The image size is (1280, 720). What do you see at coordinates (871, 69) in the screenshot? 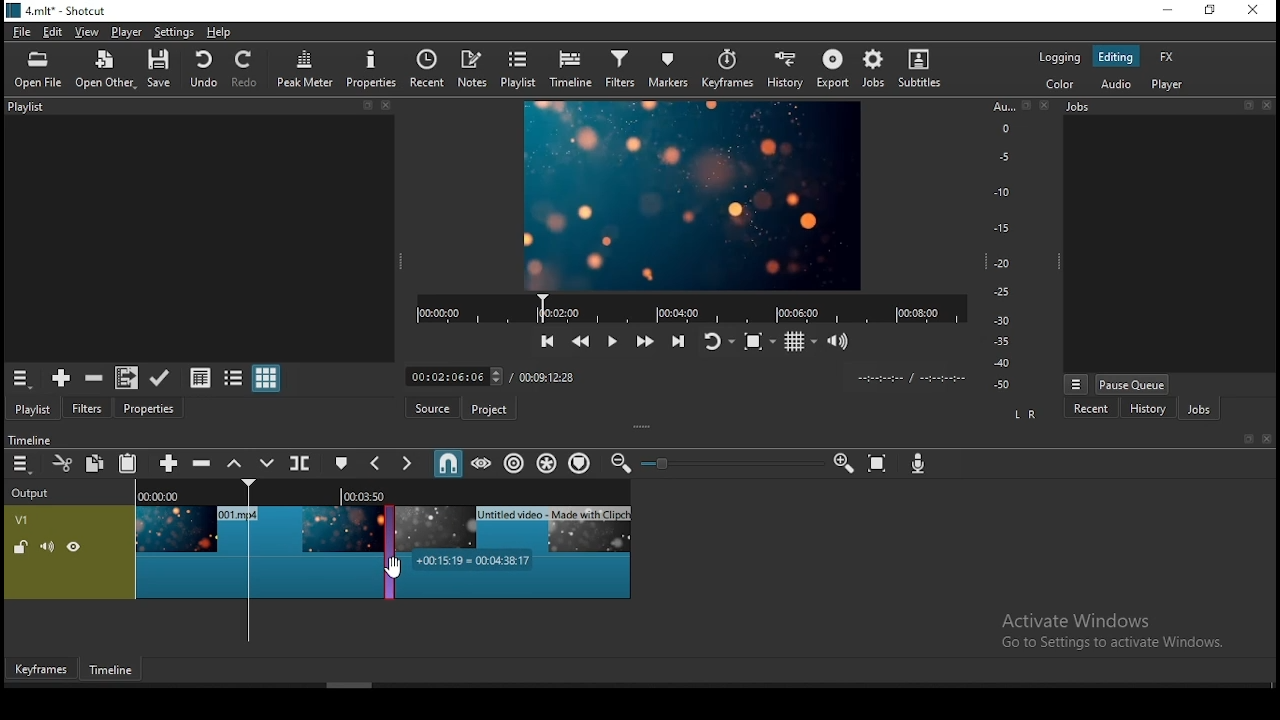
I see `jobs` at bounding box center [871, 69].